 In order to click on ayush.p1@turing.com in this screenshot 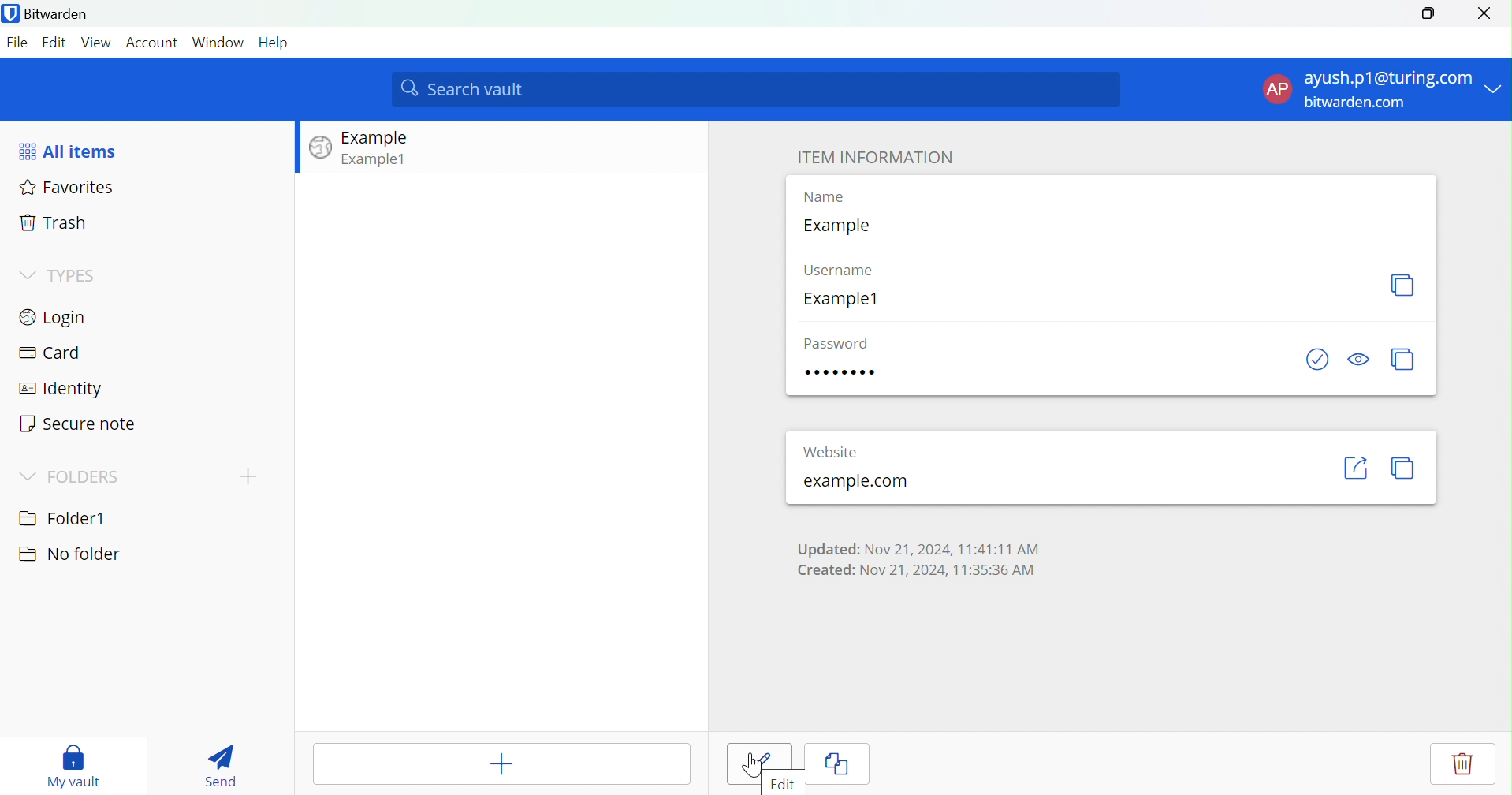, I will do `click(1390, 78)`.